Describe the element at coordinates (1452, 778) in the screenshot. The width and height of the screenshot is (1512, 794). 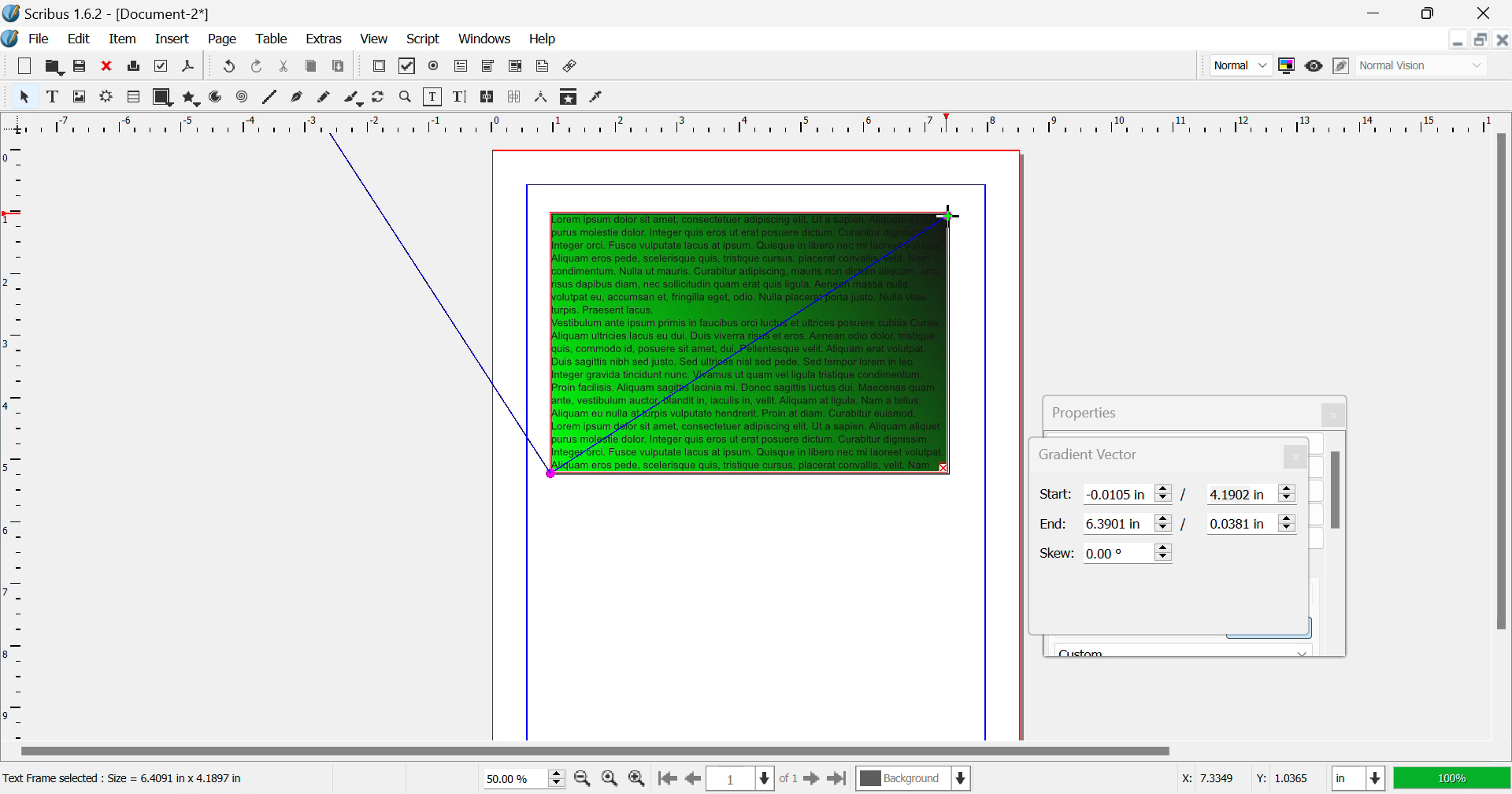
I see `Display Appearance` at that location.